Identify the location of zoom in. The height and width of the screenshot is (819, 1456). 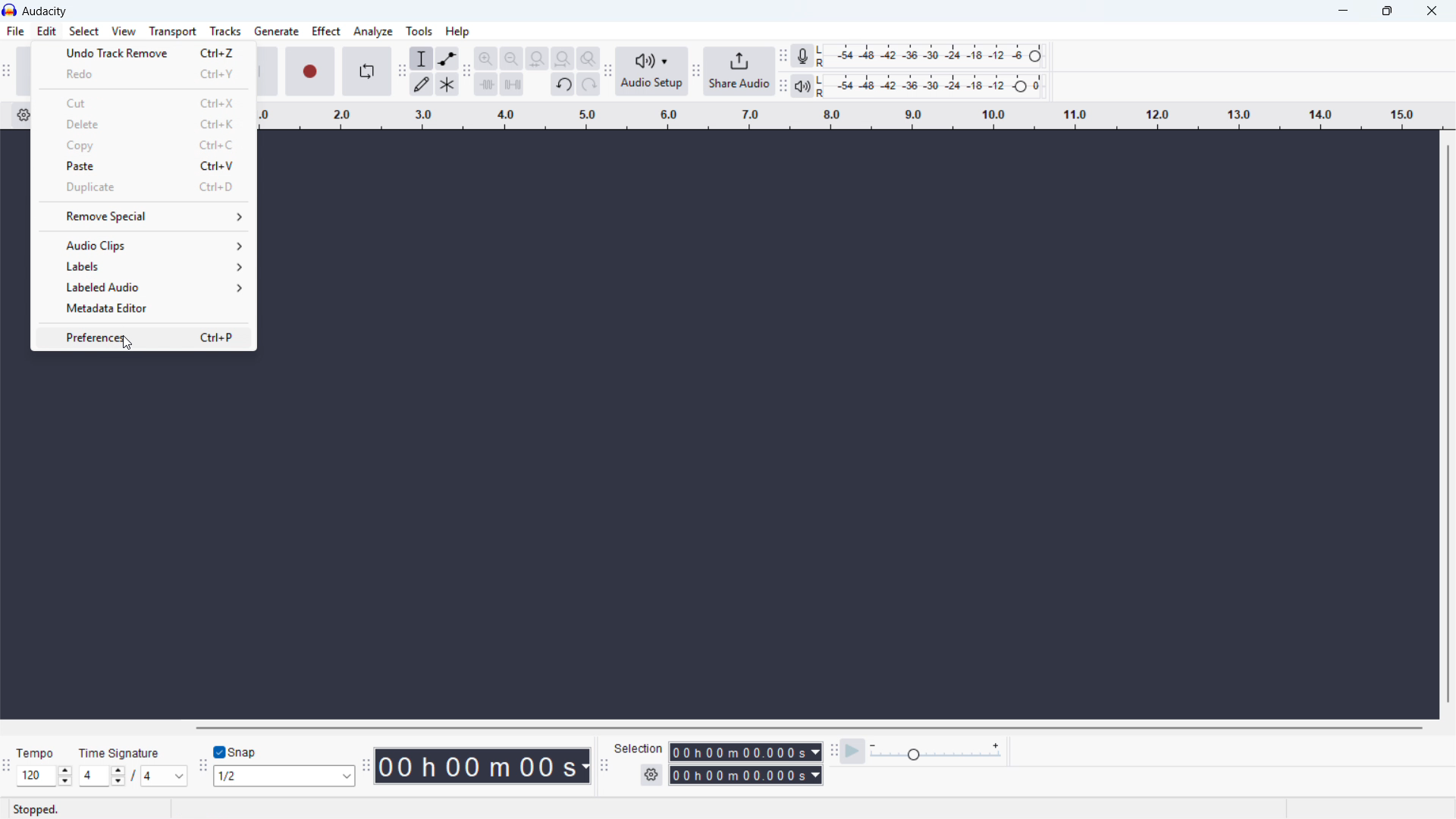
(486, 58).